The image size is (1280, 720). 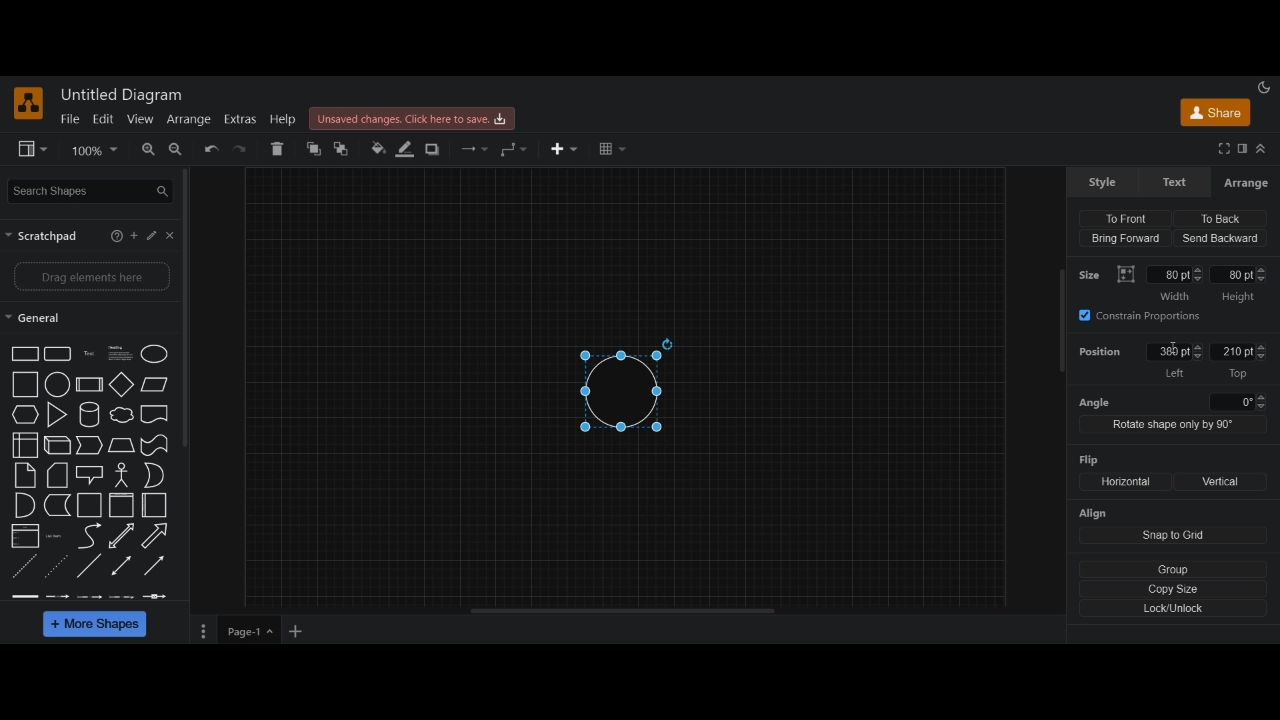 I want to click on Square, so click(x=90, y=506).